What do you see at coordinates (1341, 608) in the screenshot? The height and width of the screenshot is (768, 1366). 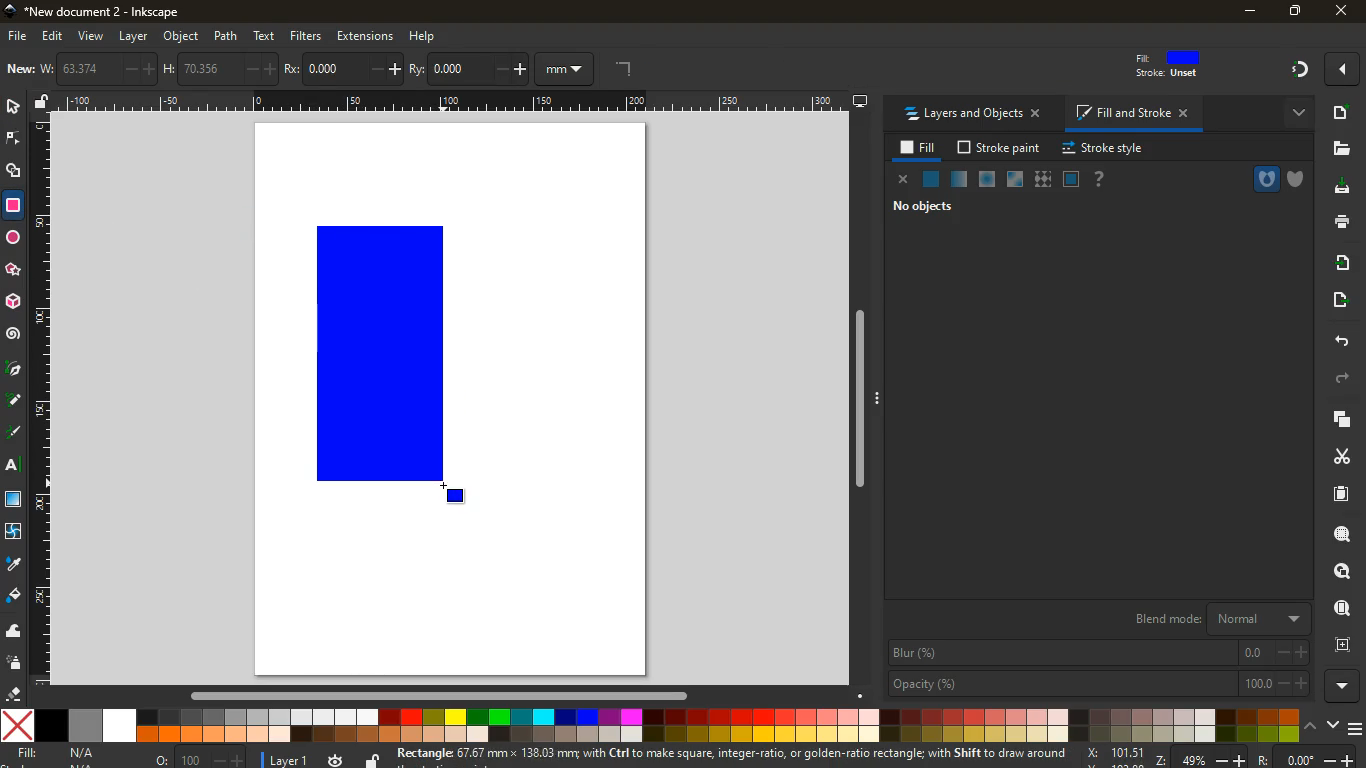 I see `find` at bounding box center [1341, 608].